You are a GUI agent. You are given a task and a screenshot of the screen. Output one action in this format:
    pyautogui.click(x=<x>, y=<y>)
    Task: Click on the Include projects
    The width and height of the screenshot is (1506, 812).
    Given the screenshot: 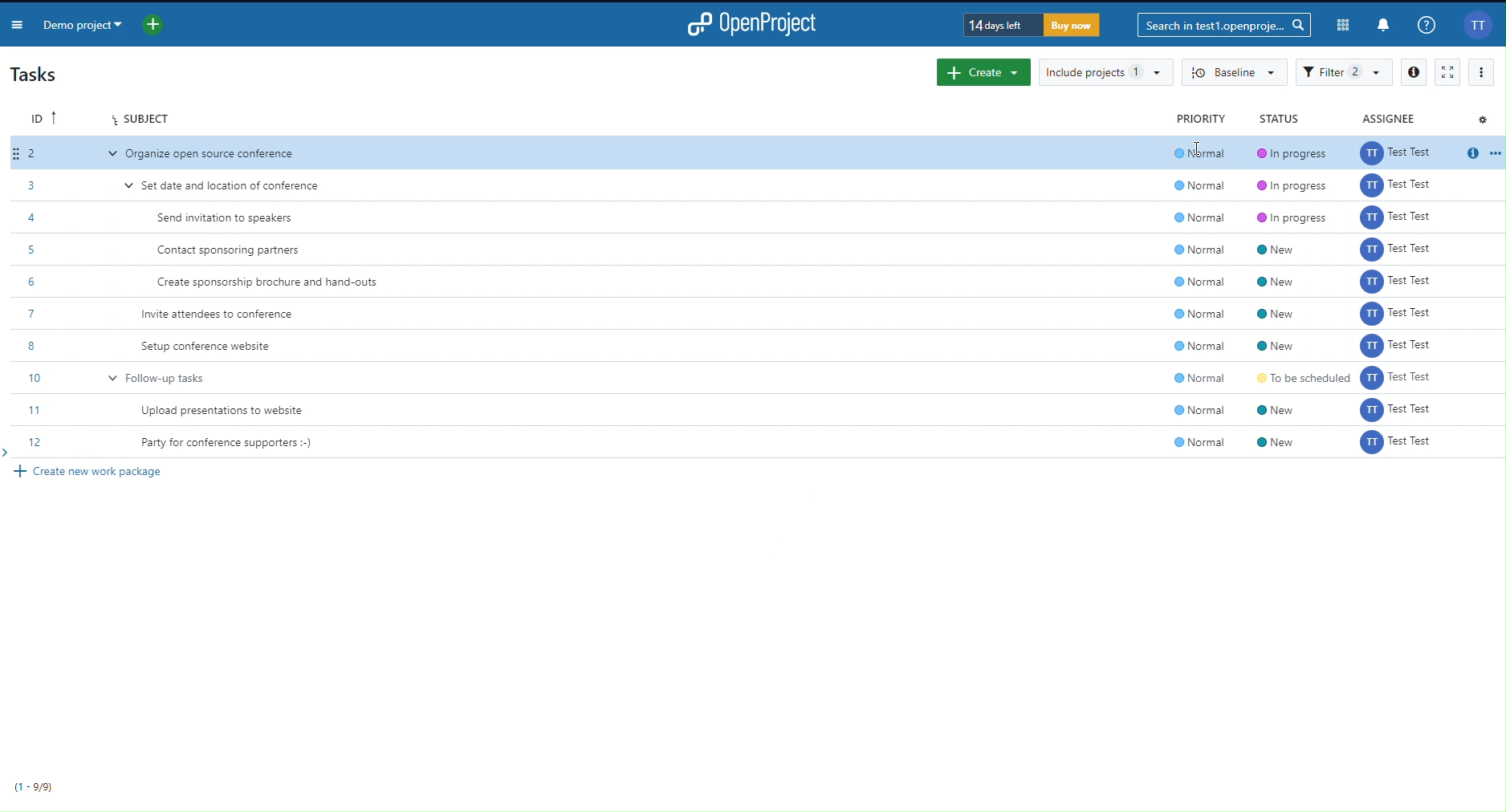 What is the action you would take?
    pyautogui.click(x=1105, y=72)
    